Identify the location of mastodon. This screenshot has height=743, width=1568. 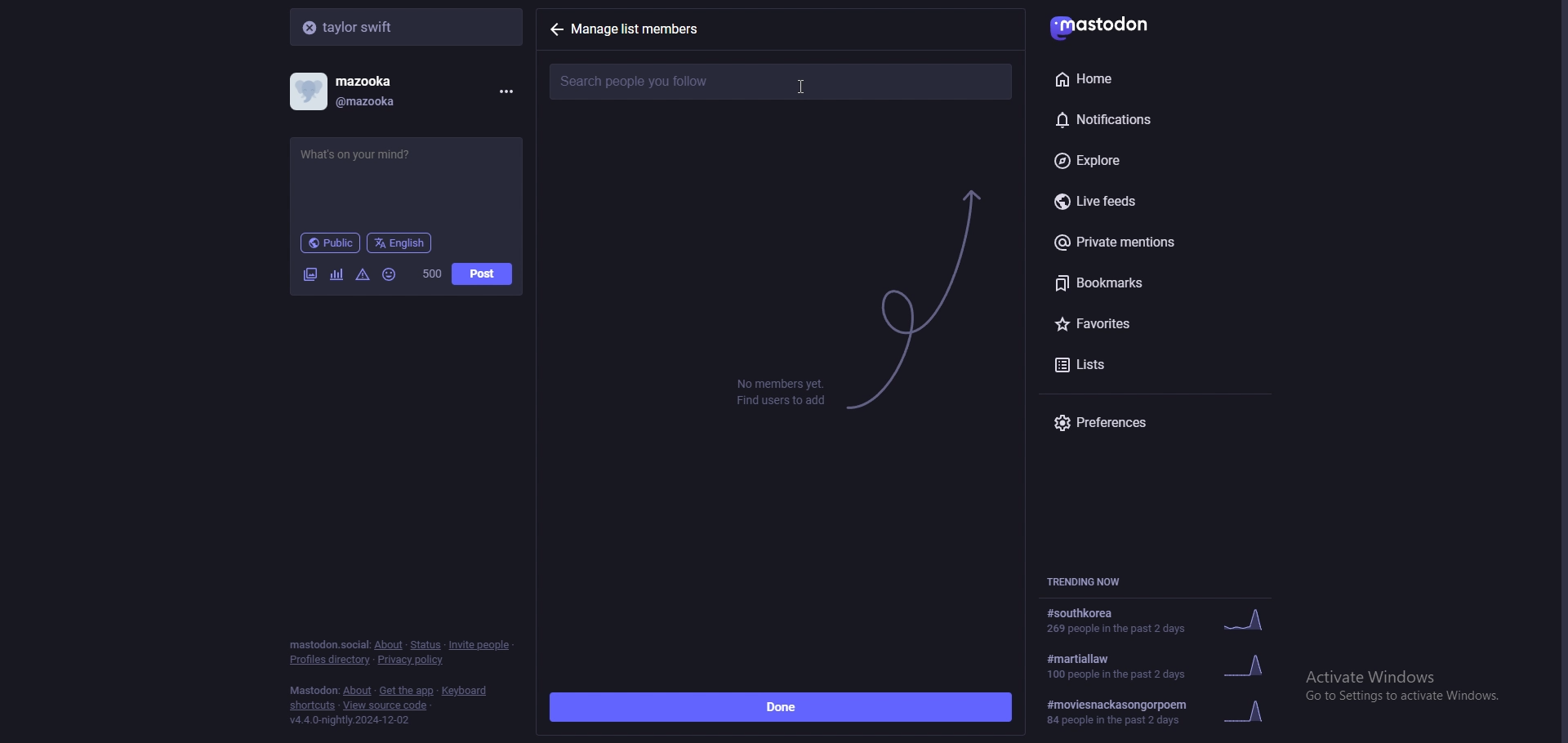
(314, 691).